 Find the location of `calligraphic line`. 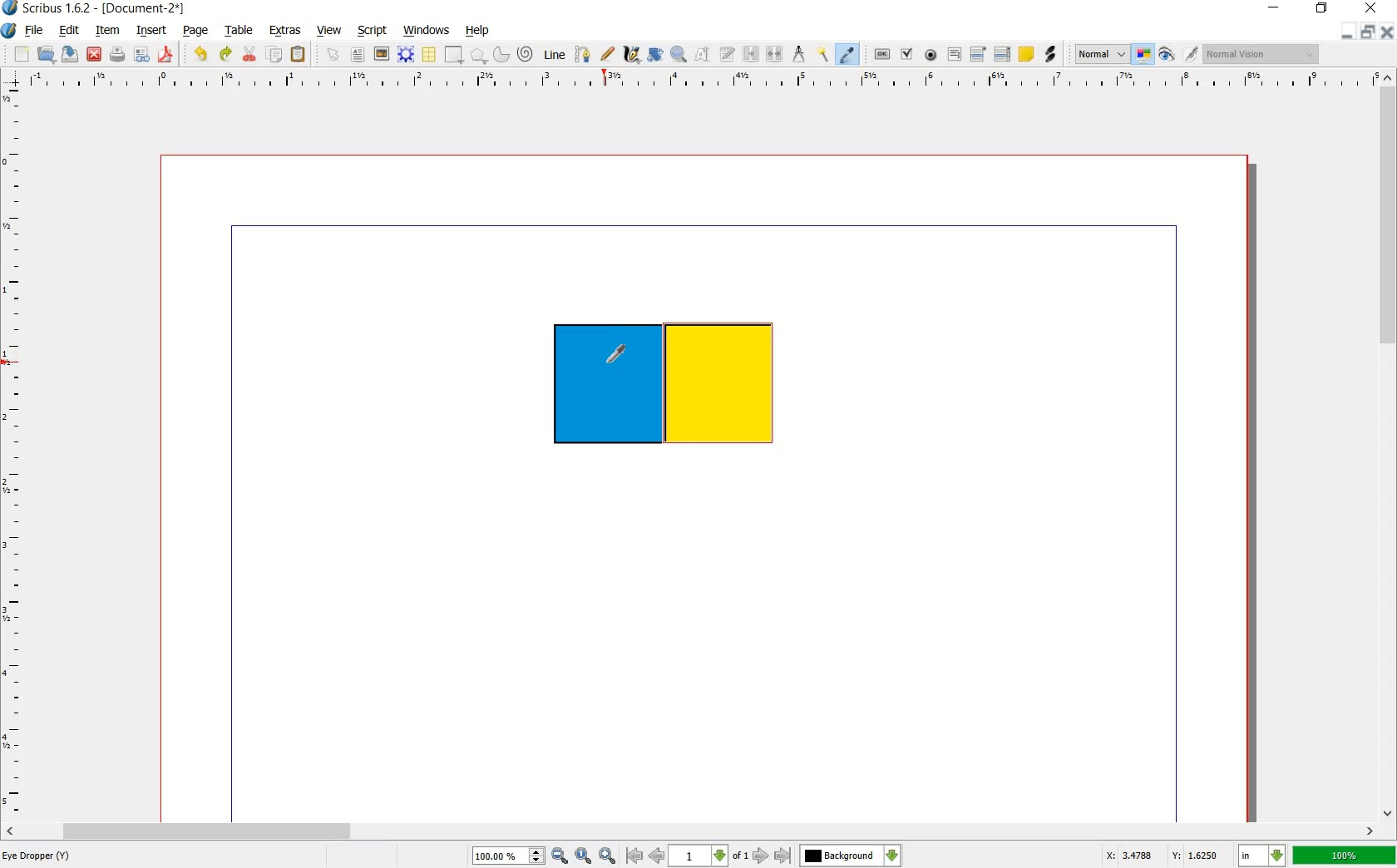

calligraphic line is located at coordinates (632, 55).